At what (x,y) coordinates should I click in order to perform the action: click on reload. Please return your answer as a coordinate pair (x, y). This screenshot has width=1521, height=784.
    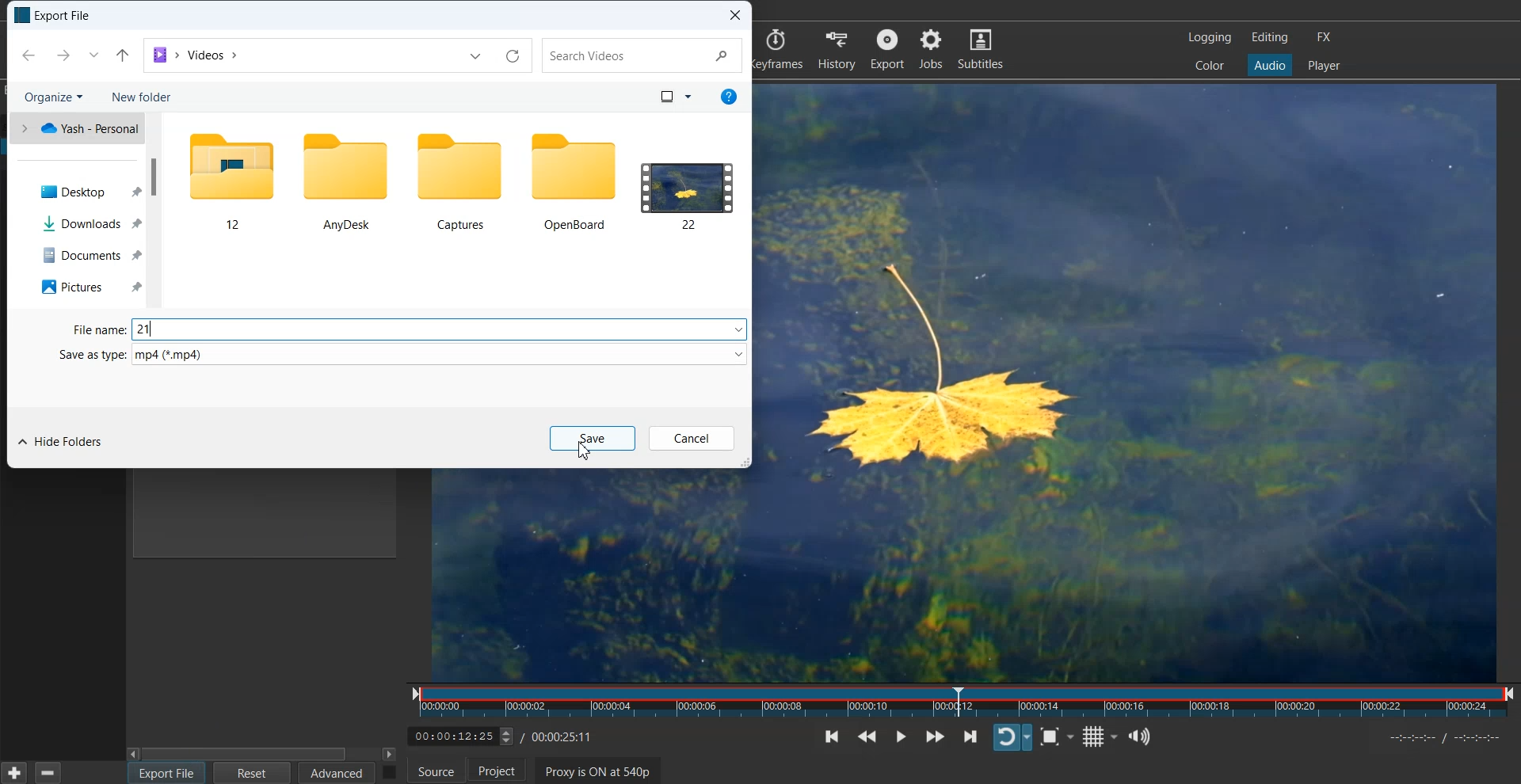
    Looking at the image, I should click on (515, 57).